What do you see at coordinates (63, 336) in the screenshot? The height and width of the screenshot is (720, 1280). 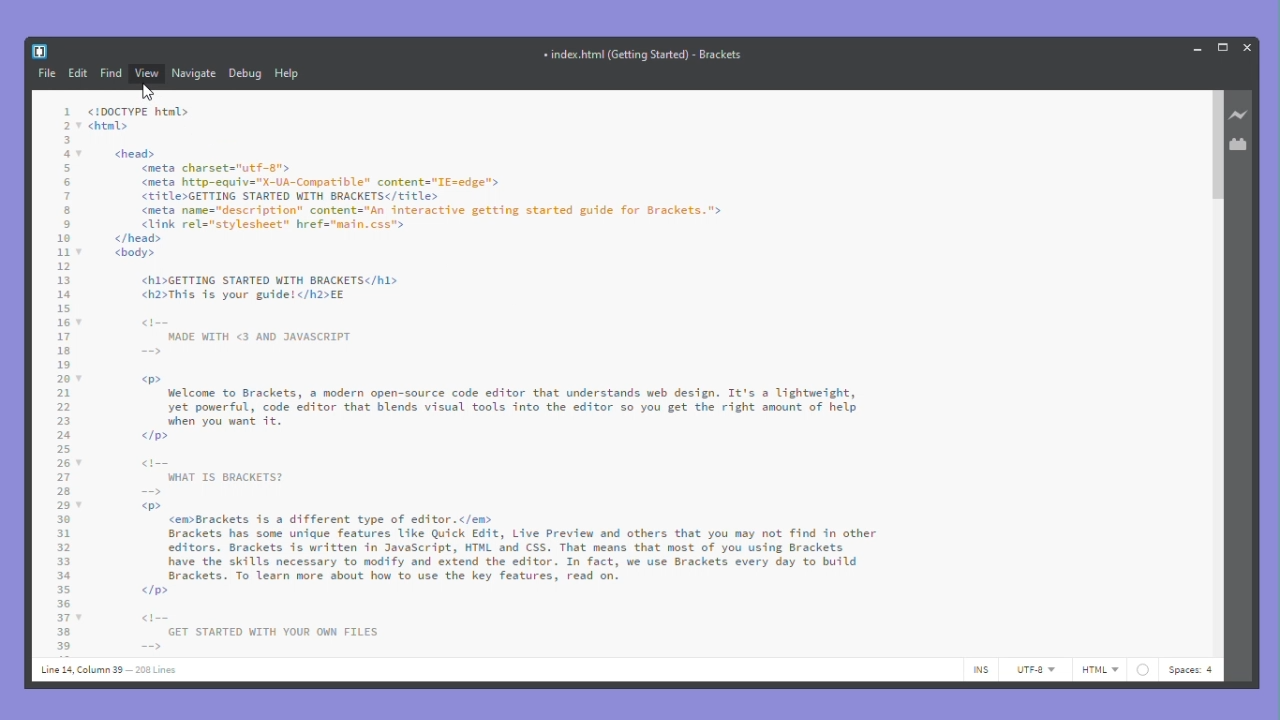 I see `17` at bounding box center [63, 336].